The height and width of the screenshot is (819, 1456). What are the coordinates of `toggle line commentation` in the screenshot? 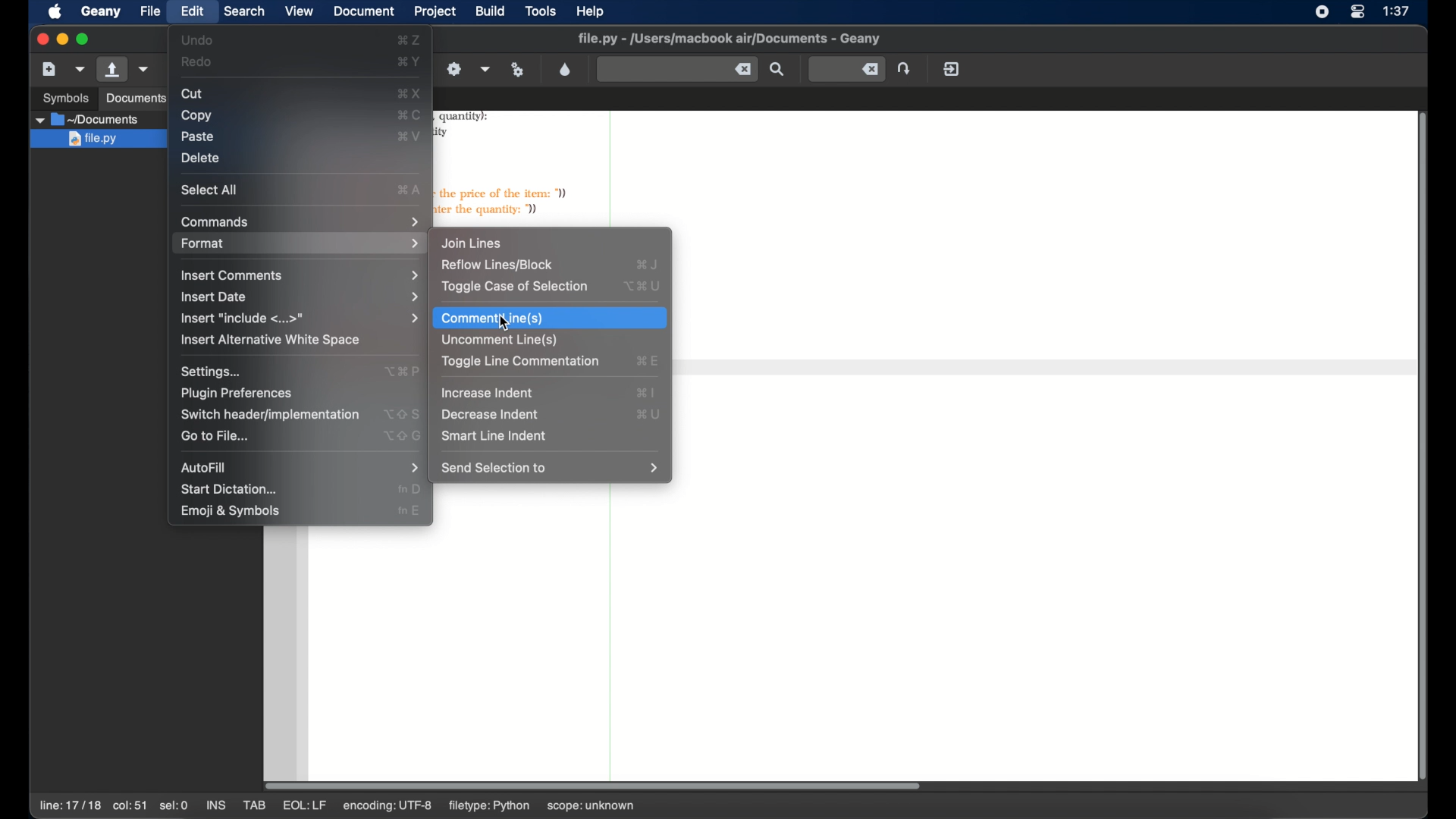 It's located at (649, 360).